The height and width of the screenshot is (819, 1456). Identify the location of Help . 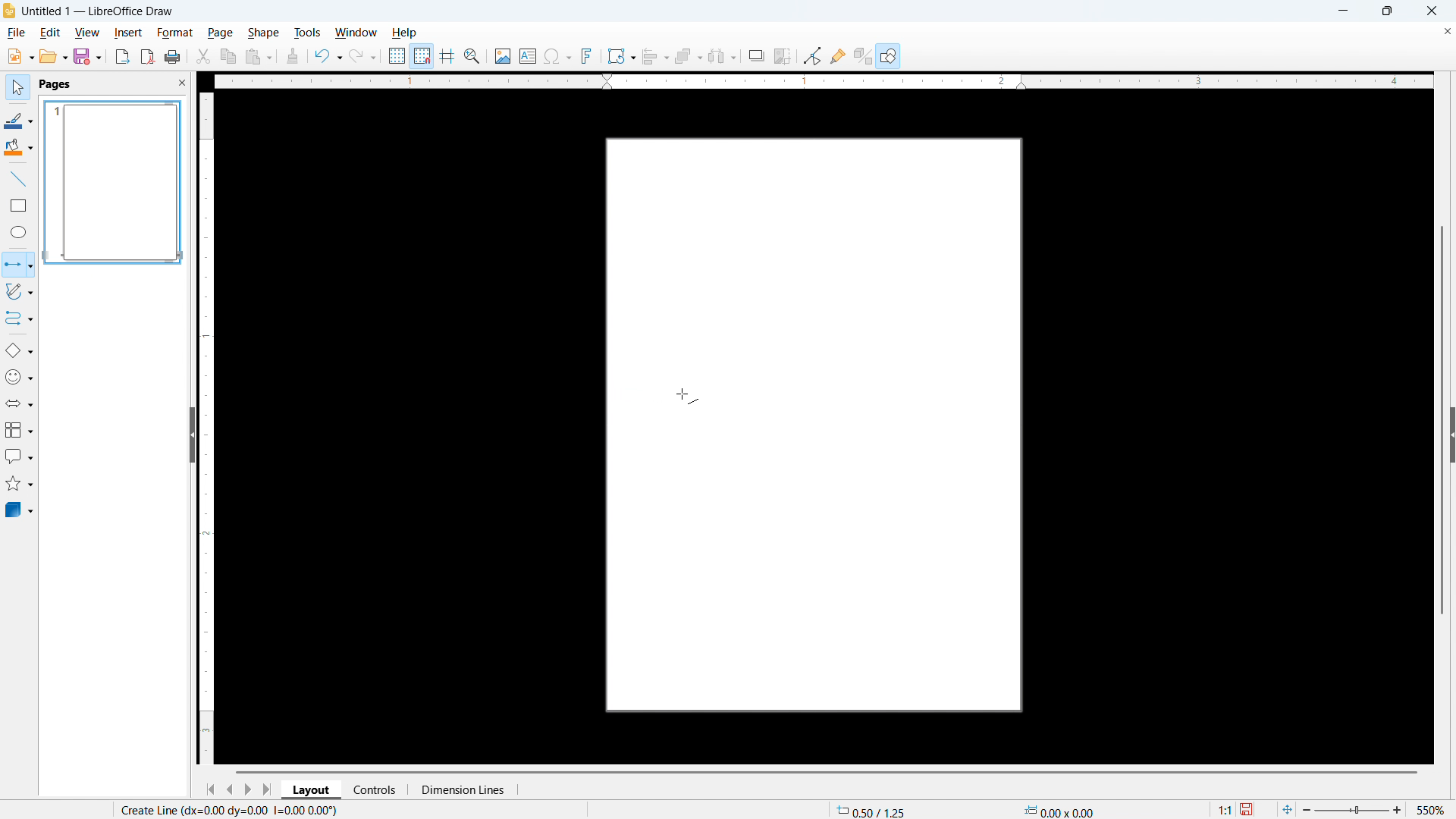
(403, 33).